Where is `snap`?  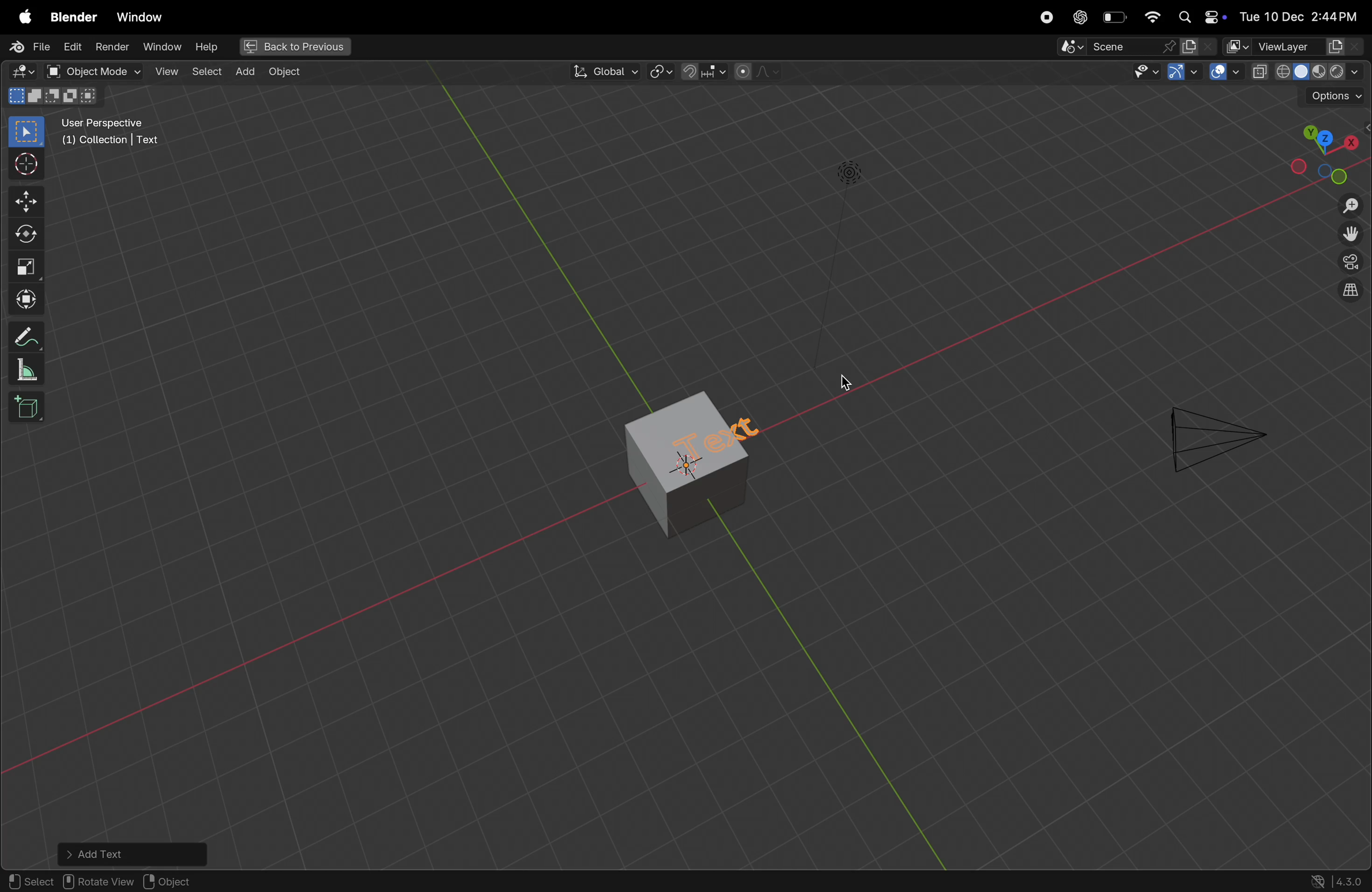 snap is located at coordinates (704, 71).